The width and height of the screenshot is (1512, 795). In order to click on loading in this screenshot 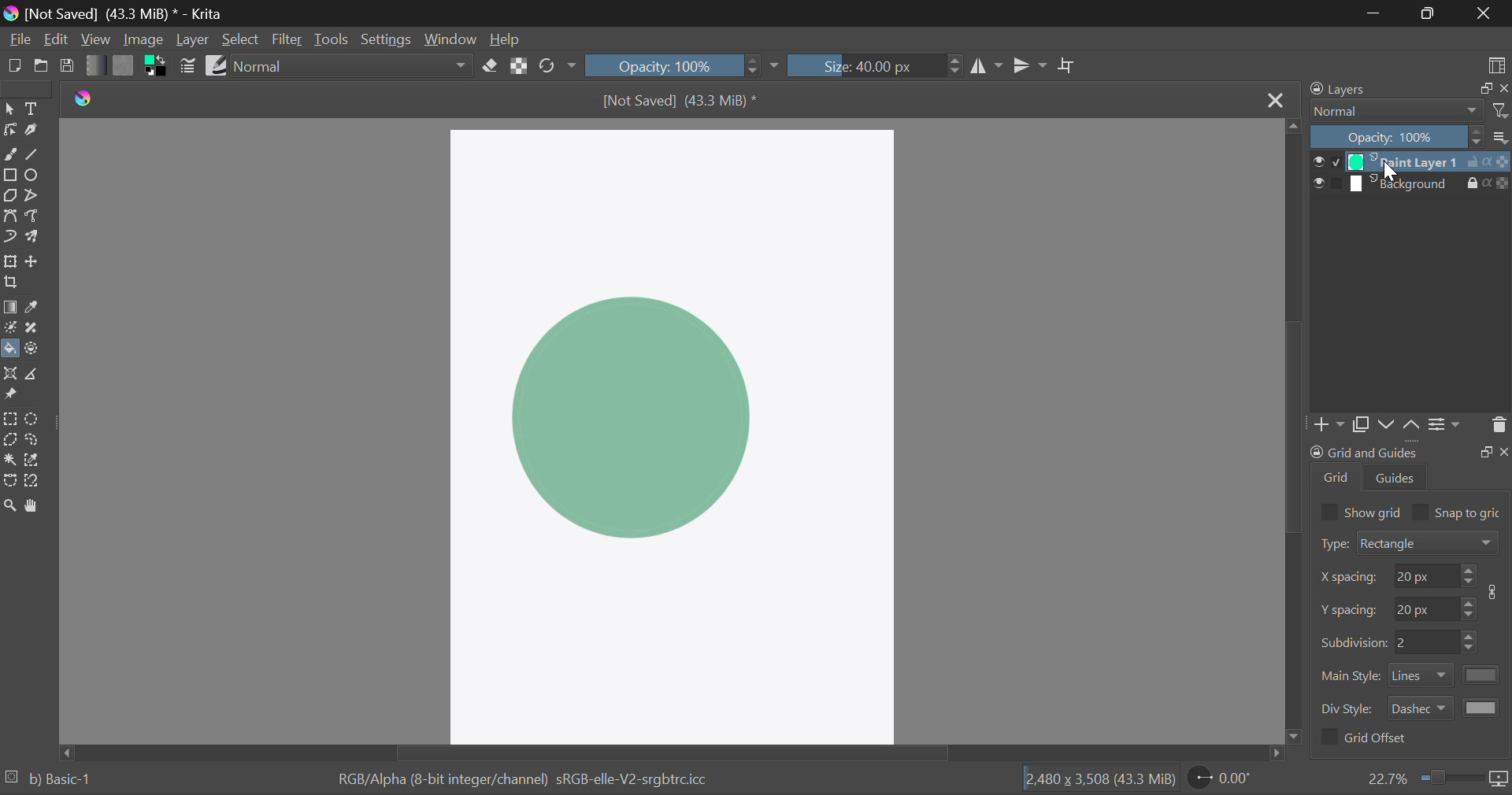, I will do `click(9, 774)`.